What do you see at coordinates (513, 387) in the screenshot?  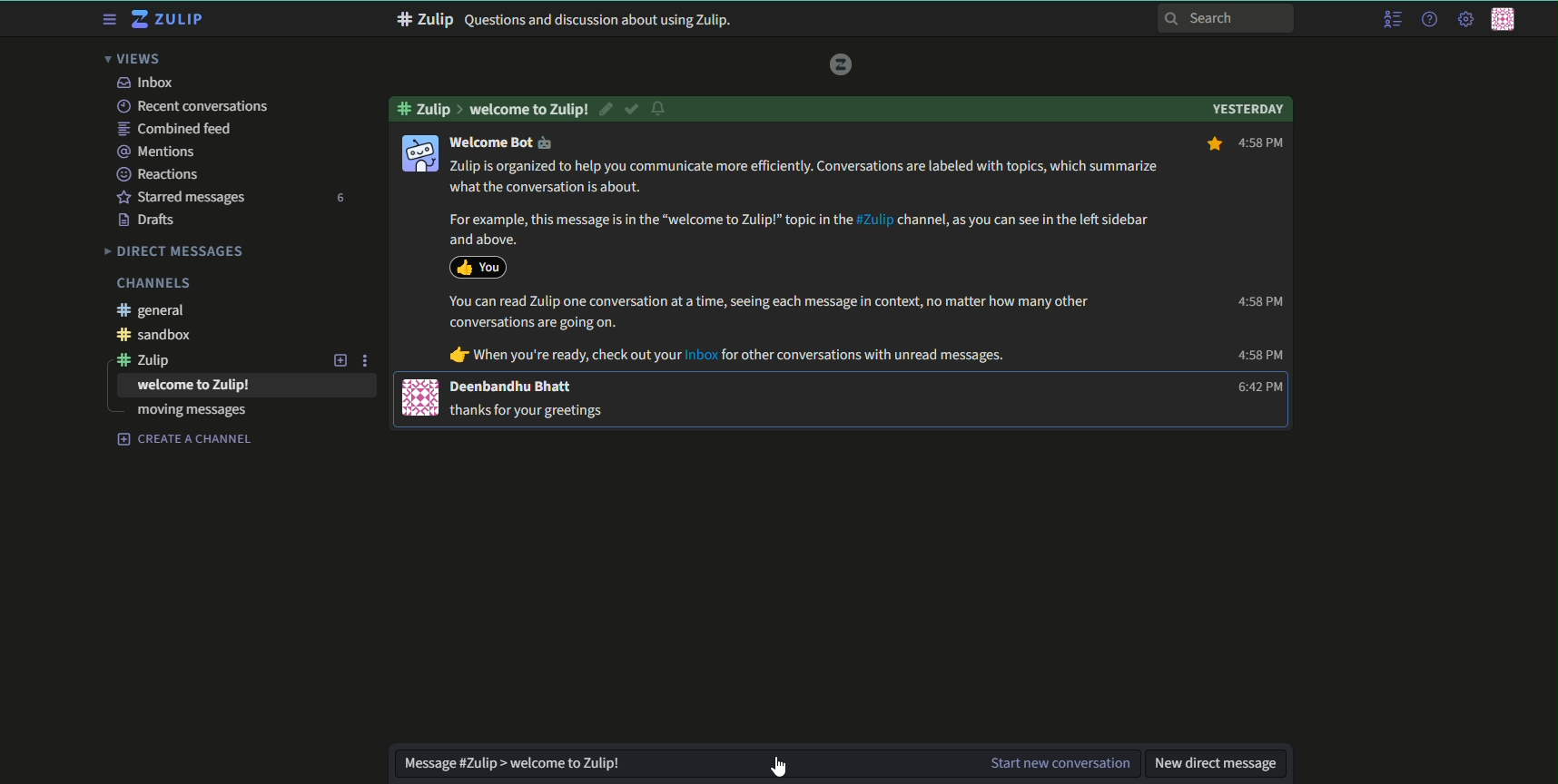 I see `Deenbandhu Bhatt` at bounding box center [513, 387].